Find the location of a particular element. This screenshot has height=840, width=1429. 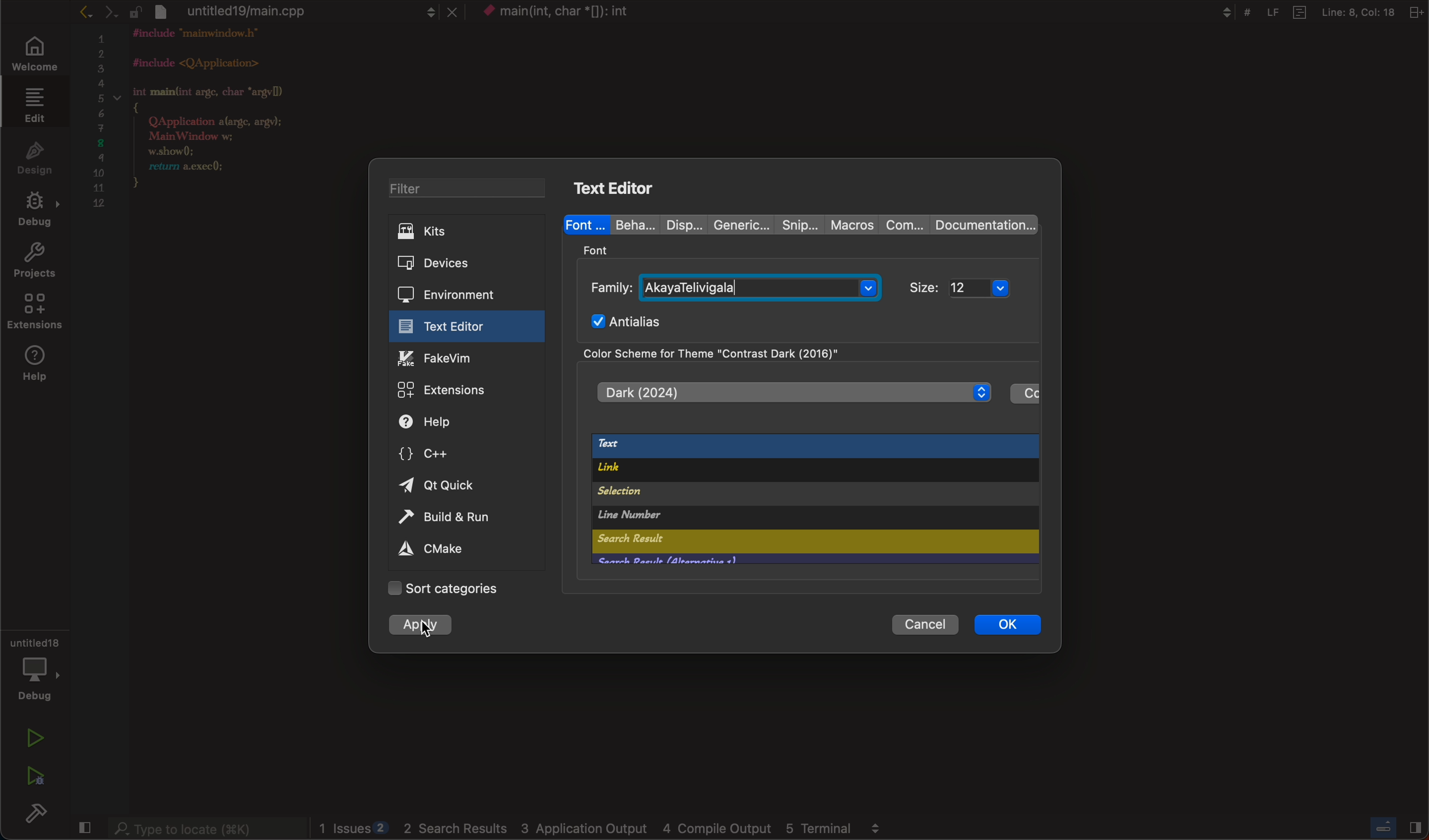

selected is located at coordinates (422, 627).